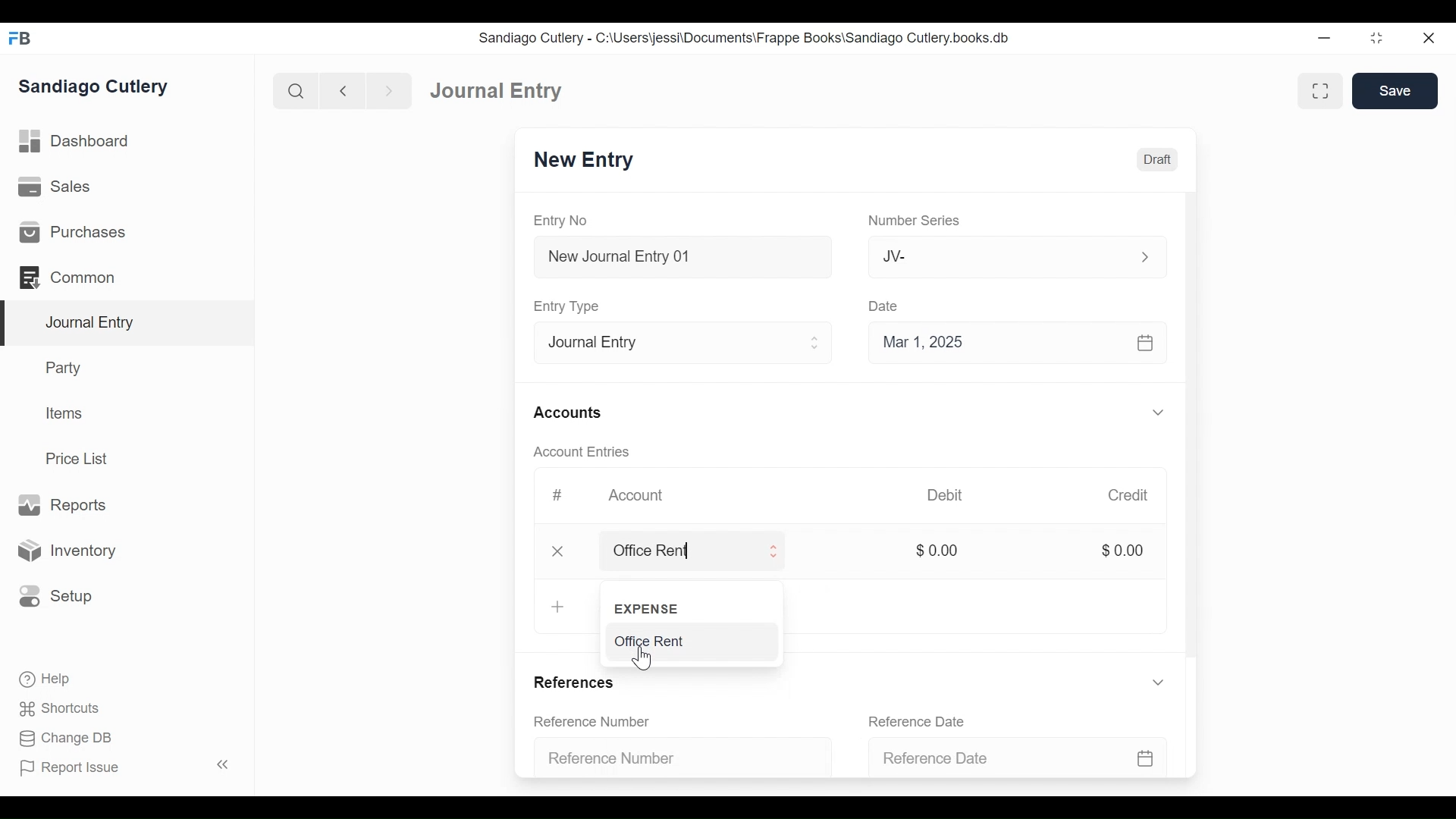 The height and width of the screenshot is (819, 1456). Describe the element at coordinates (595, 720) in the screenshot. I see `Reference Number` at that location.